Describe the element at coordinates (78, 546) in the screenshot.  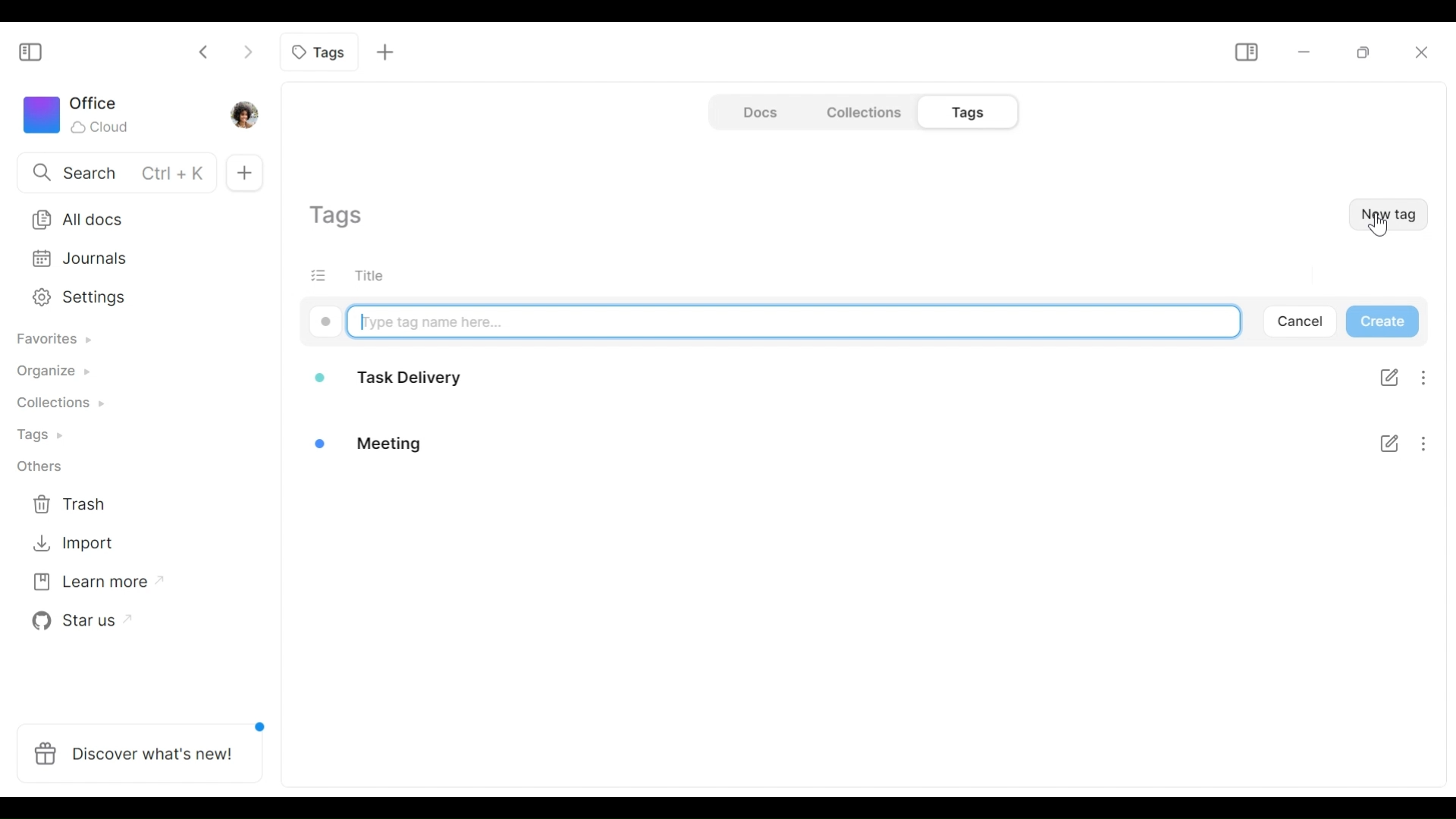
I see `Import` at that location.